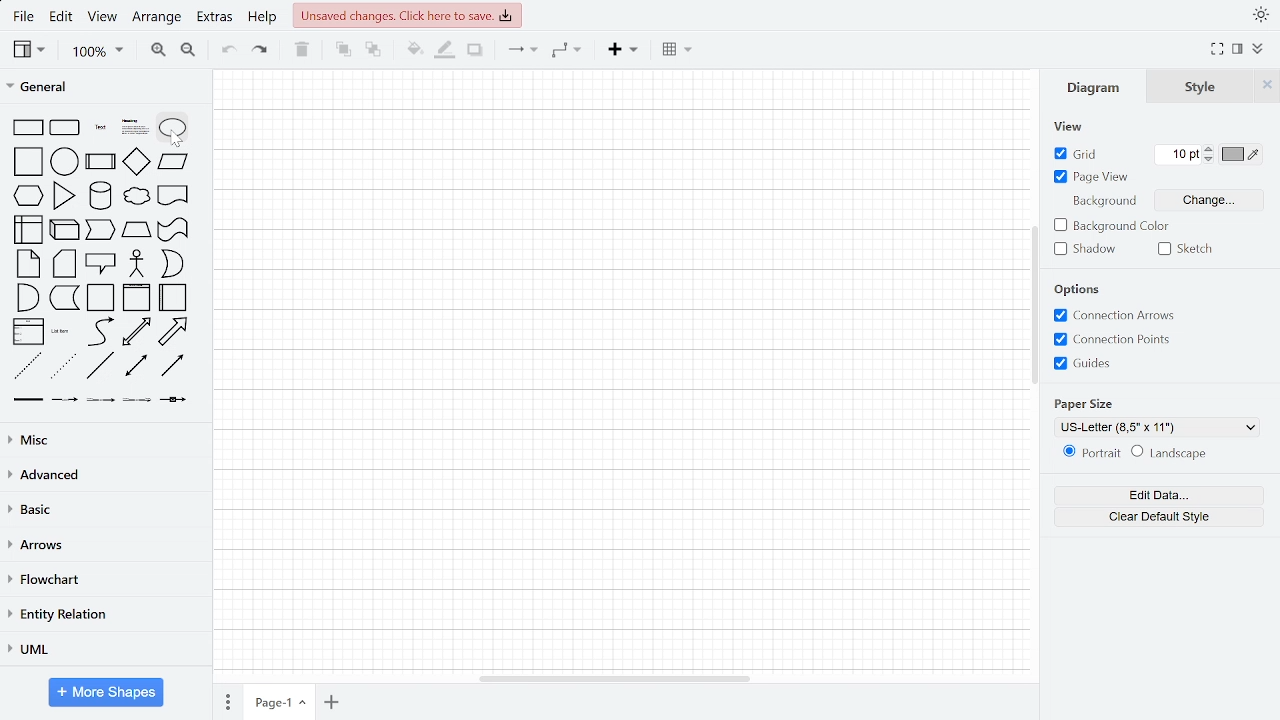 Image resolution: width=1280 pixels, height=720 pixels. What do you see at coordinates (215, 20) in the screenshot?
I see `extras` at bounding box center [215, 20].